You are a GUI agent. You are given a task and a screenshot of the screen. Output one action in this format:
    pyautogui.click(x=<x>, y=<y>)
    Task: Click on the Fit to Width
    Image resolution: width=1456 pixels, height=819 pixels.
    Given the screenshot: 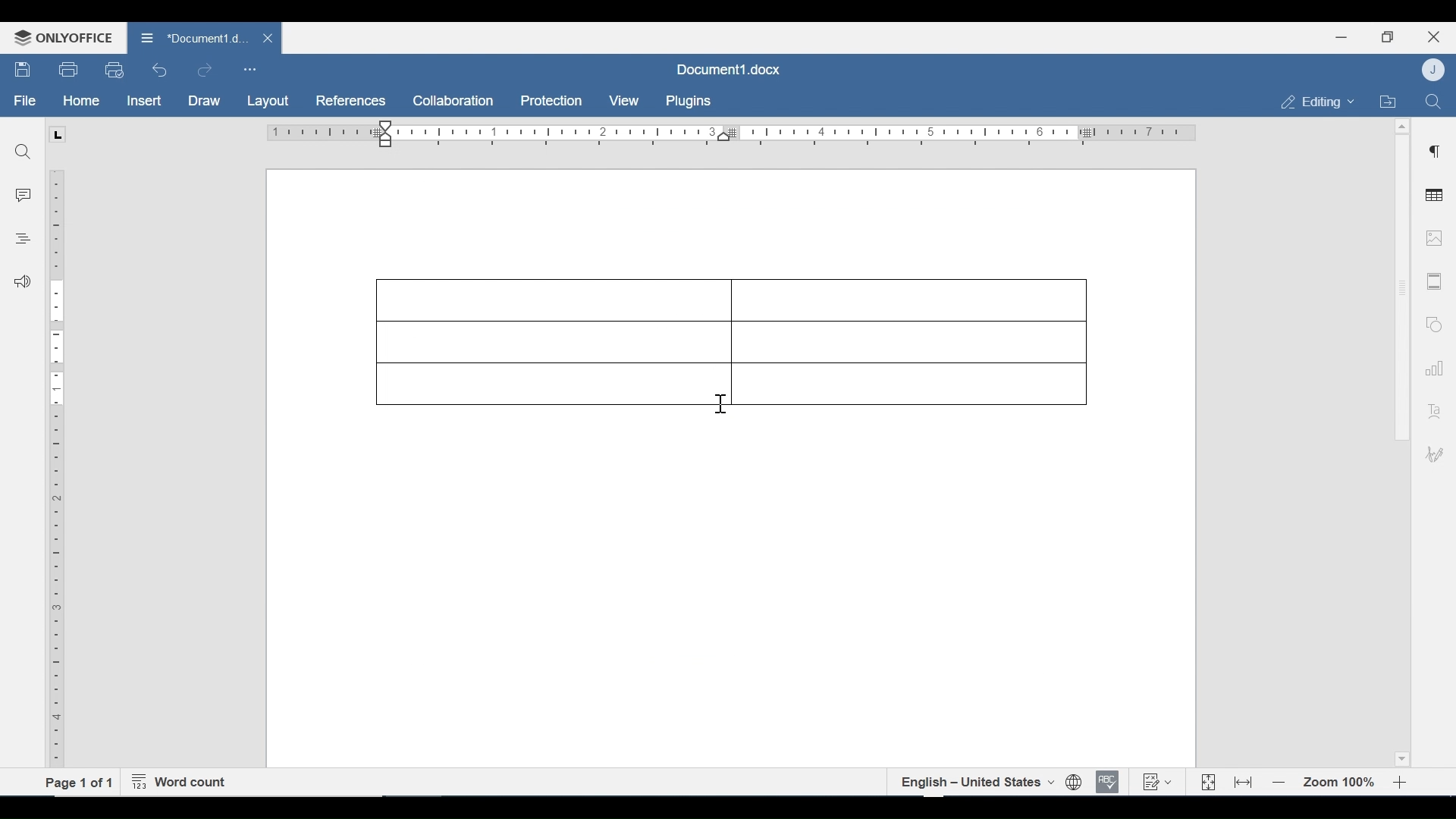 What is the action you would take?
    pyautogui.click(x=1244, y=781)
    